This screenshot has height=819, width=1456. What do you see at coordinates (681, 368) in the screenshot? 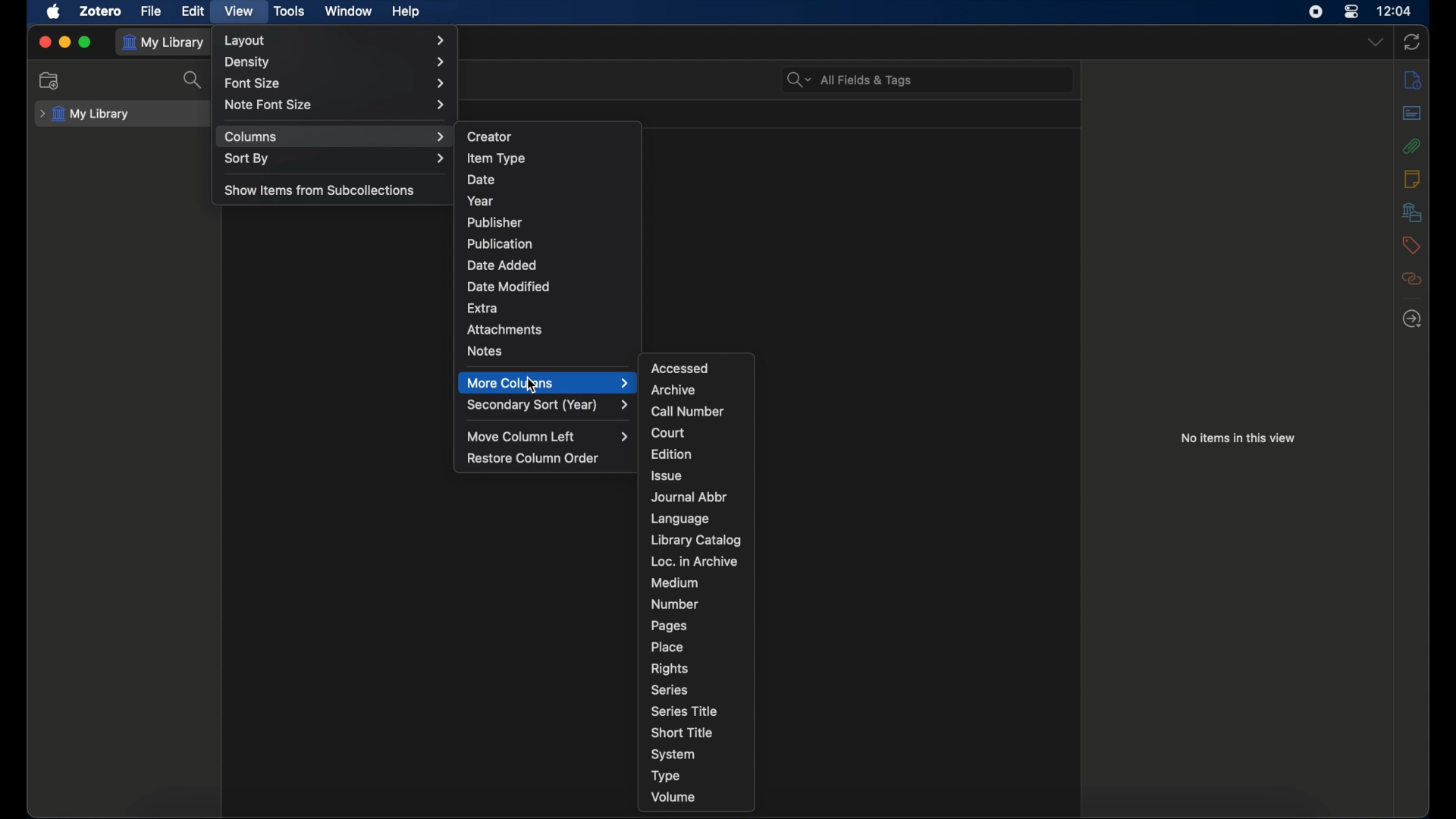
I see `accessed` at bounding box center [681, 368].